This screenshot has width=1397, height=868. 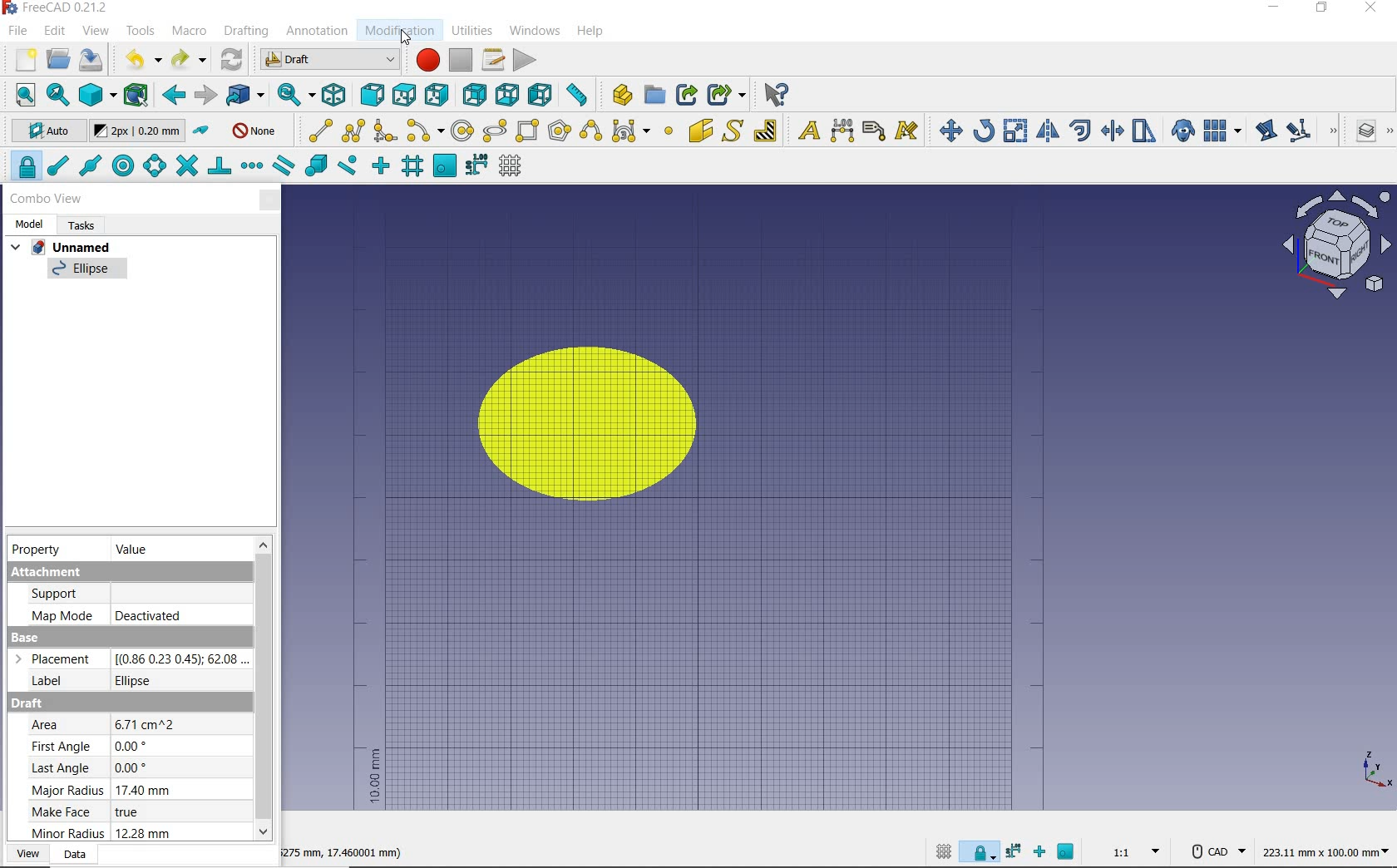 I want to click on utilities, so click(x=473, y=32).